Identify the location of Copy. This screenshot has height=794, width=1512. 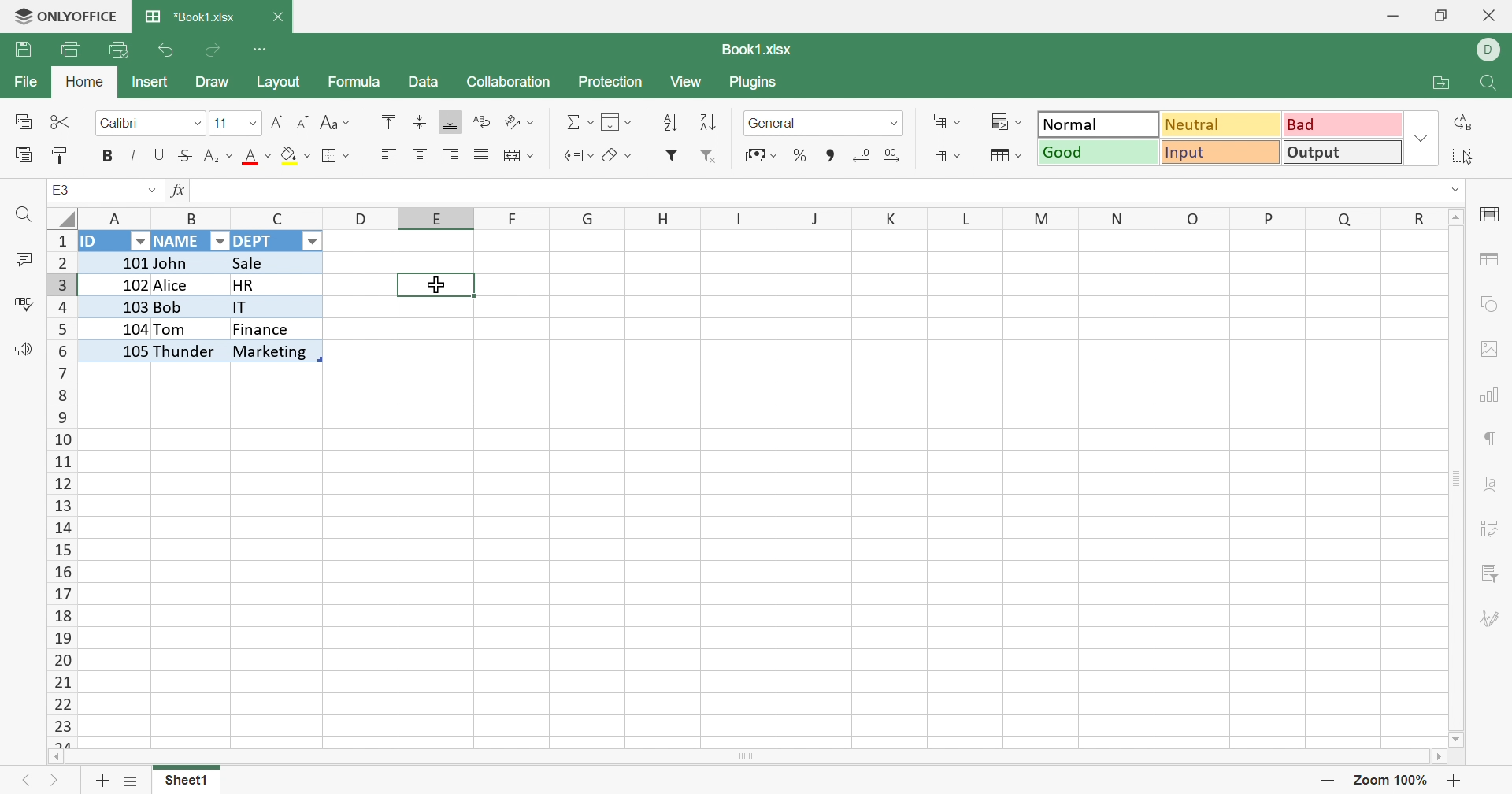
(24, 122).